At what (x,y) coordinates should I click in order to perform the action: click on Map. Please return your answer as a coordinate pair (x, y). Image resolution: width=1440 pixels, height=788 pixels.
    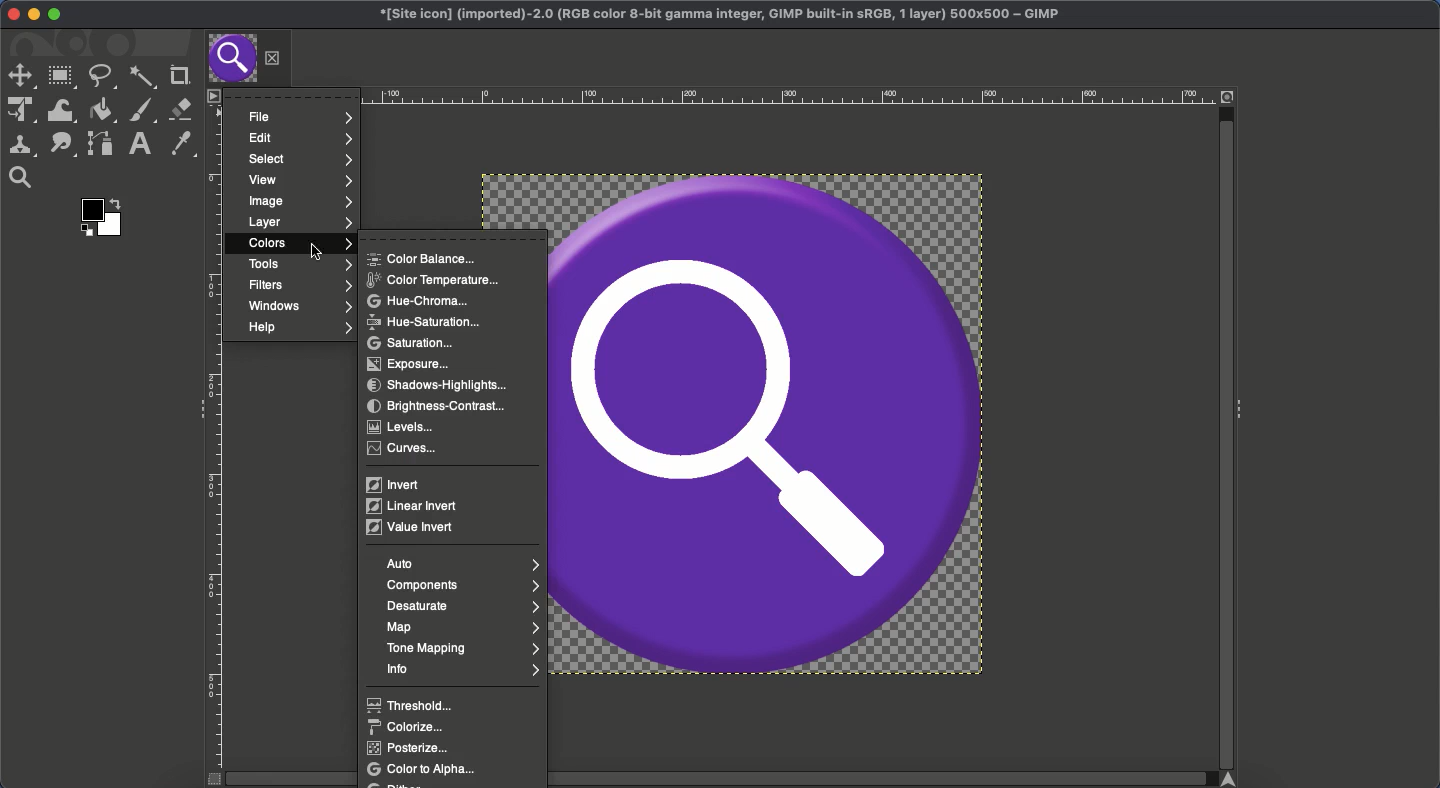
    Looking at the image, I should click on (465, 628).